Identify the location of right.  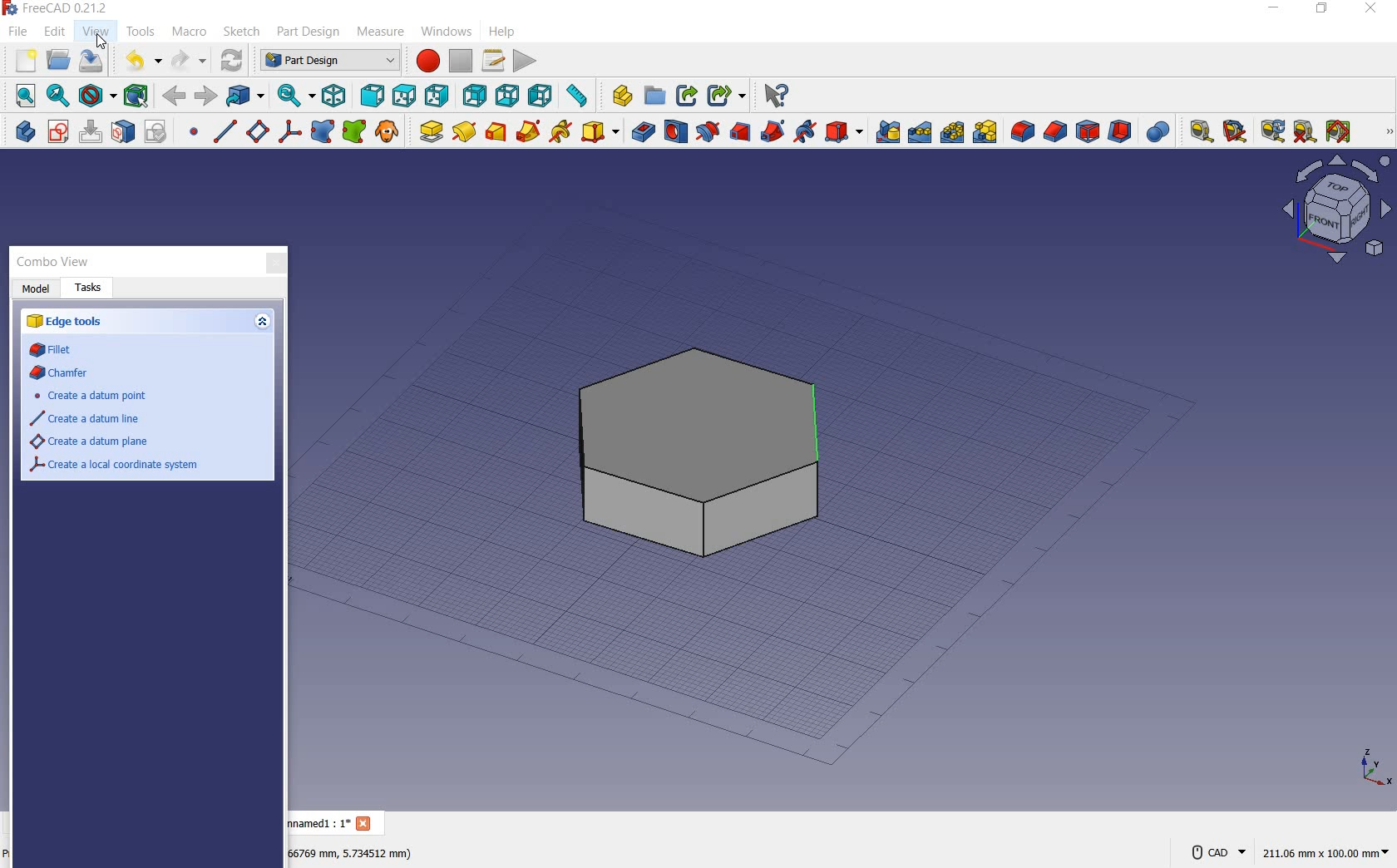
(438, 96).